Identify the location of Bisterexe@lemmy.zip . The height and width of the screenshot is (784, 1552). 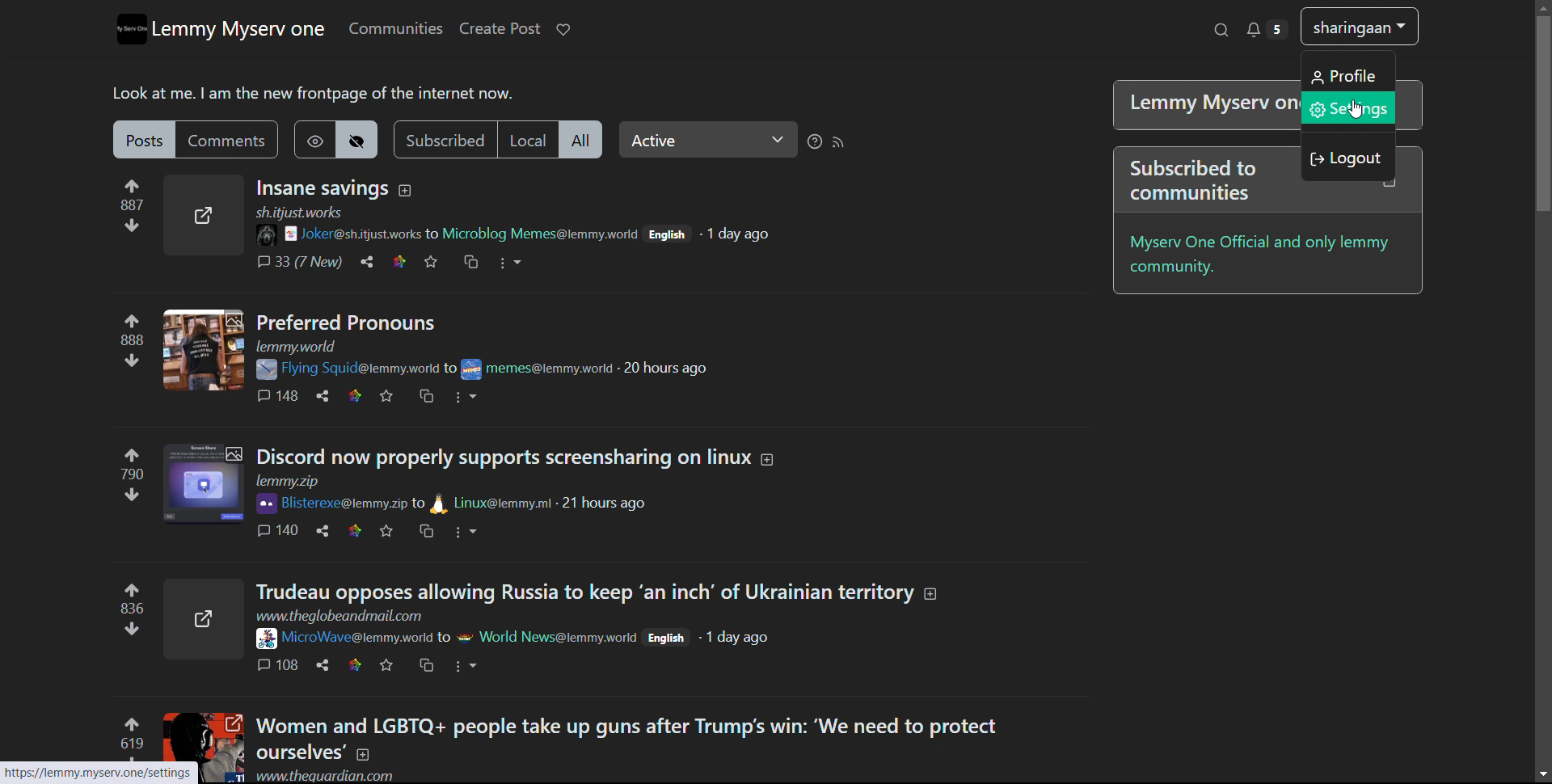
(330, 504).